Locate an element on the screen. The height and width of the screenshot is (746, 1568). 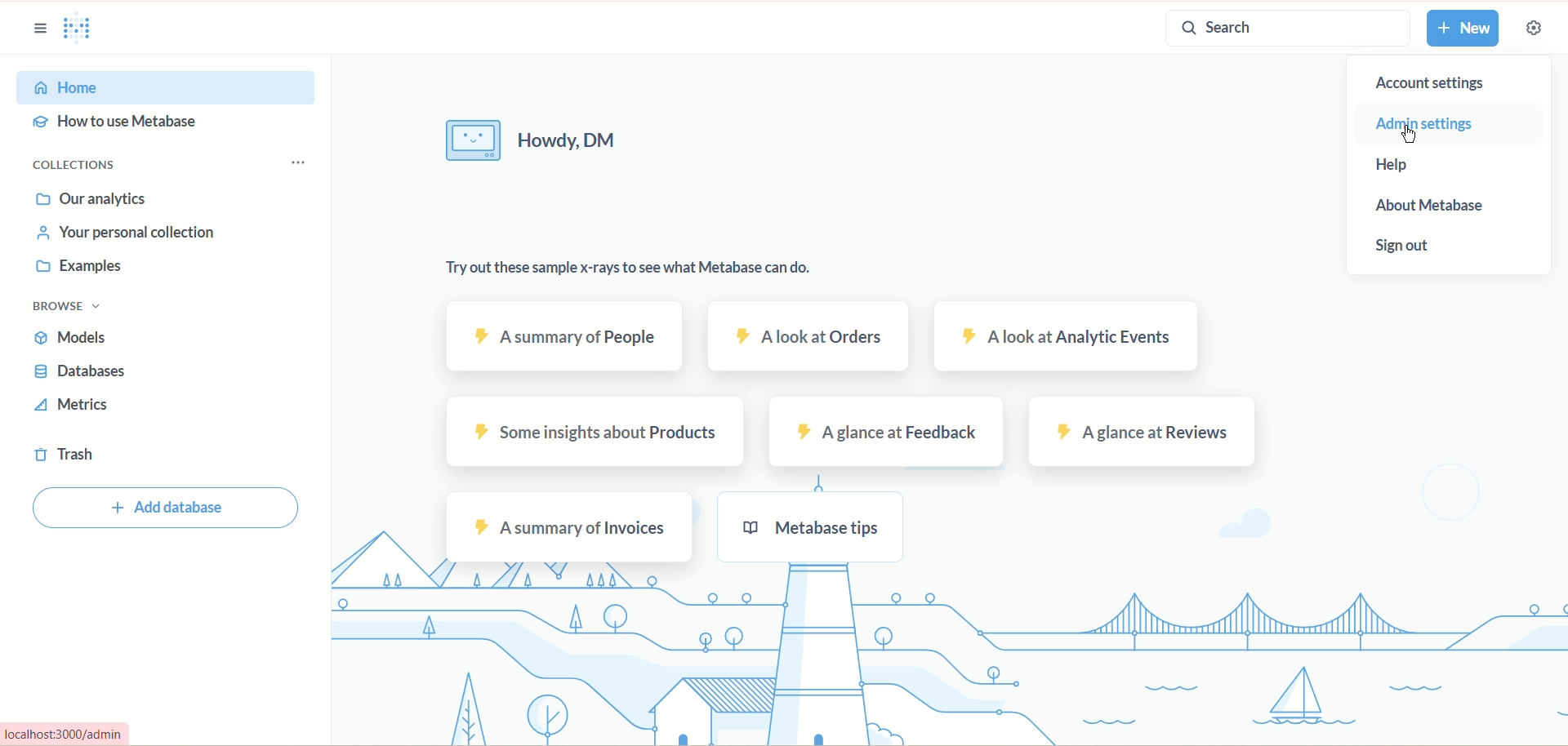
new is located at coordinates (1463, 29).